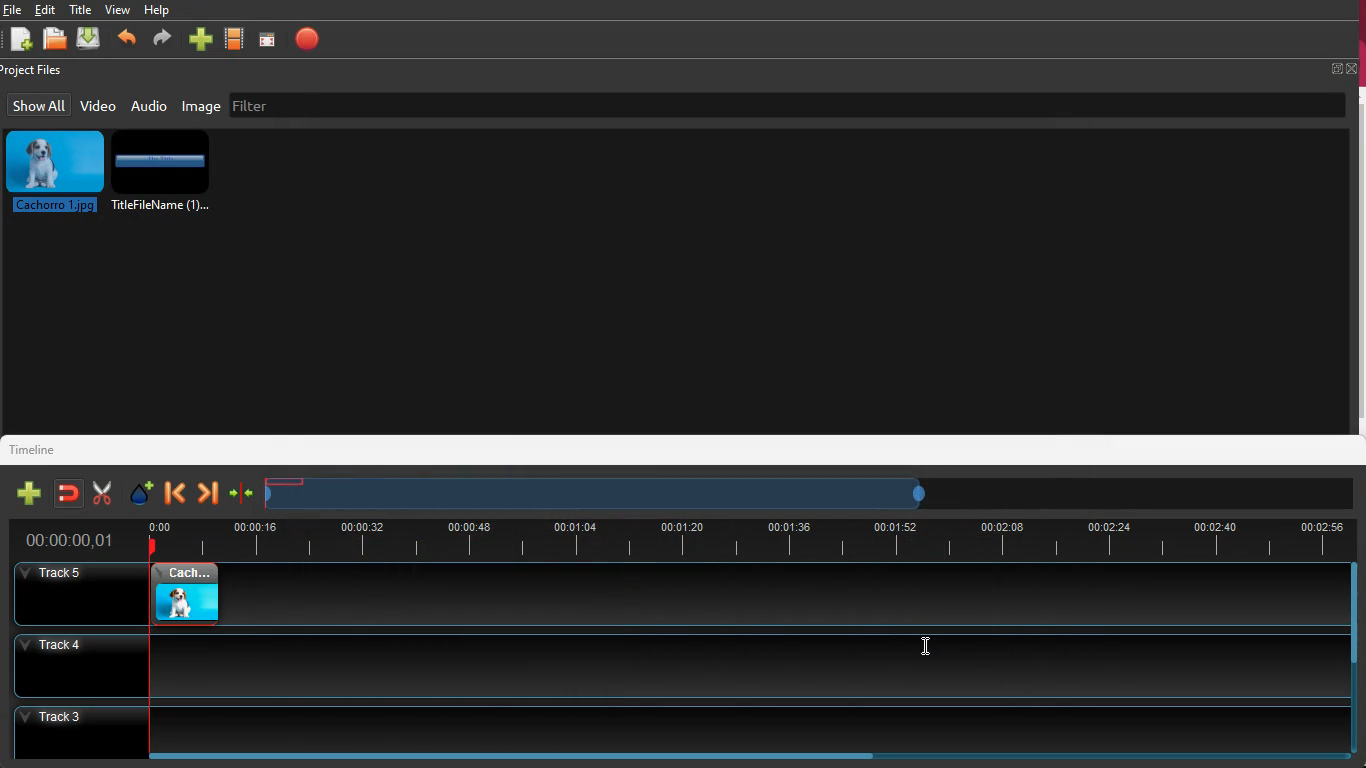 Image resolution: width=1366 pixels, height=768 pixels. What do you see at coordinates (58, 41) in the screenshot?
I see `file` at bounding box center [58, 41].